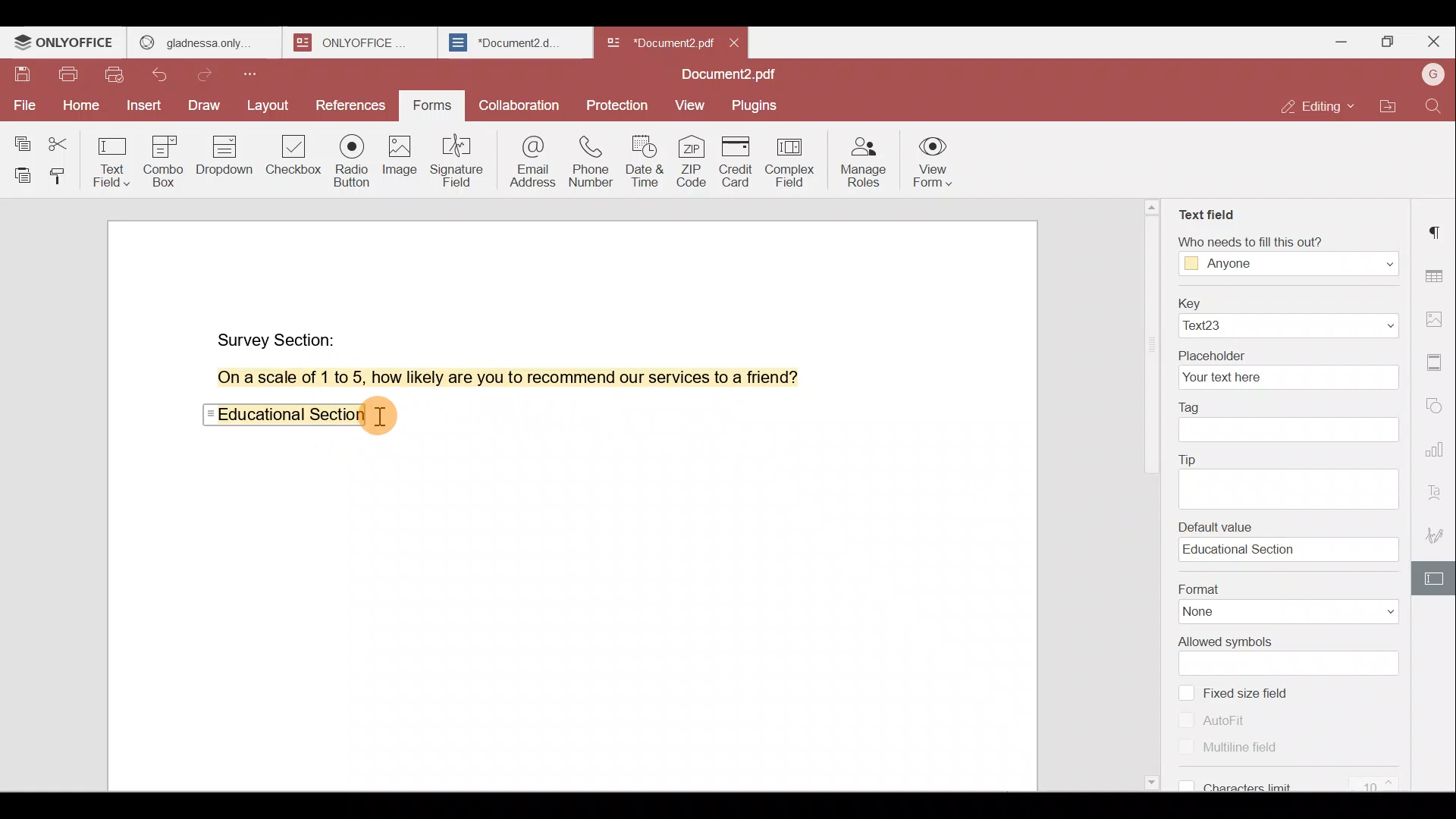 This screenshot has width=1456, height=819. What do you see at coordinates (78, 108) in the screenshot?
I see `Home` at bounding box center [78, 108].